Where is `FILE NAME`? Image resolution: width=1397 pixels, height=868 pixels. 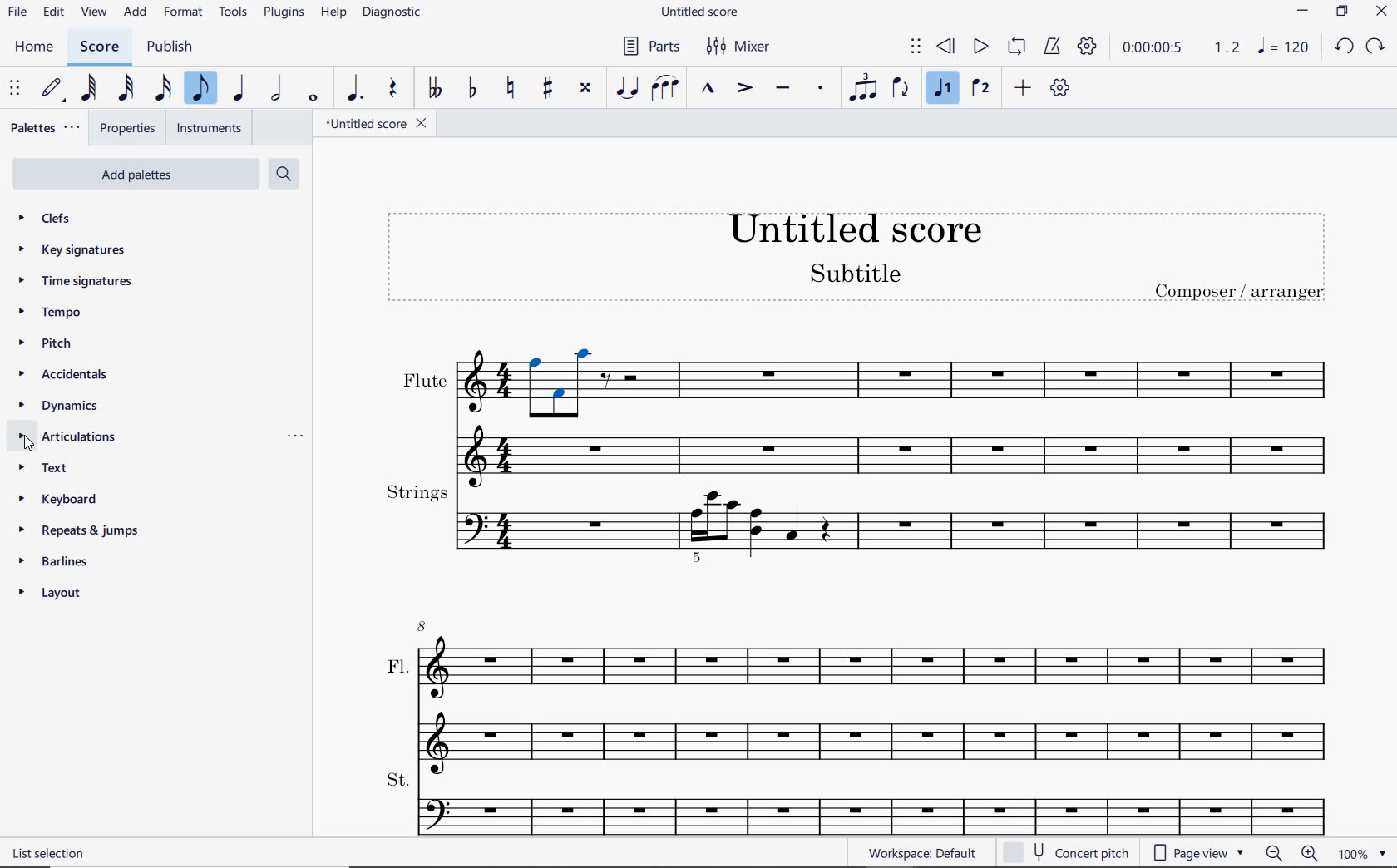 FILE NAME is located at coordinates (380, 123).